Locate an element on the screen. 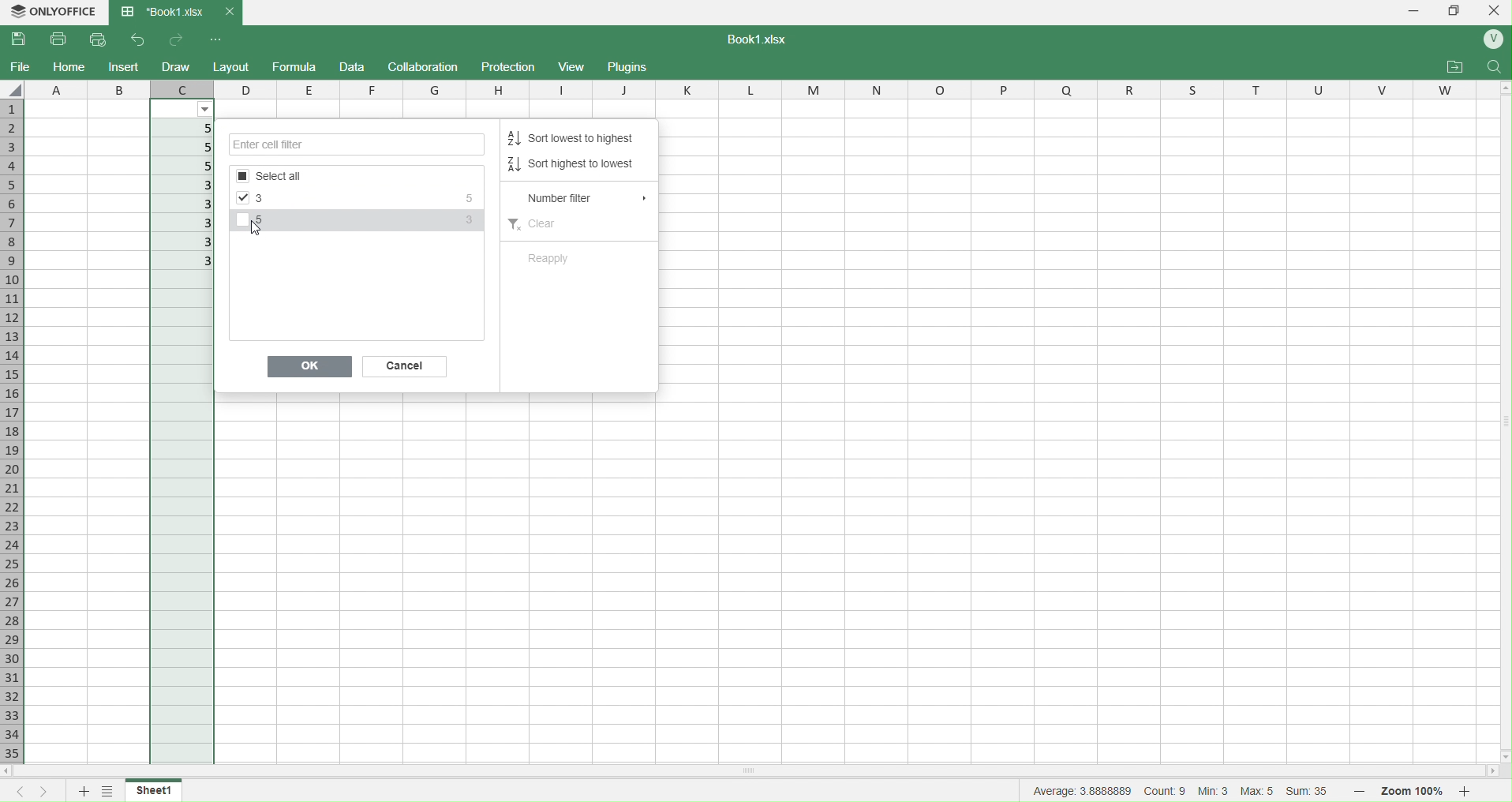  Book is located at coordinates (174, 13).